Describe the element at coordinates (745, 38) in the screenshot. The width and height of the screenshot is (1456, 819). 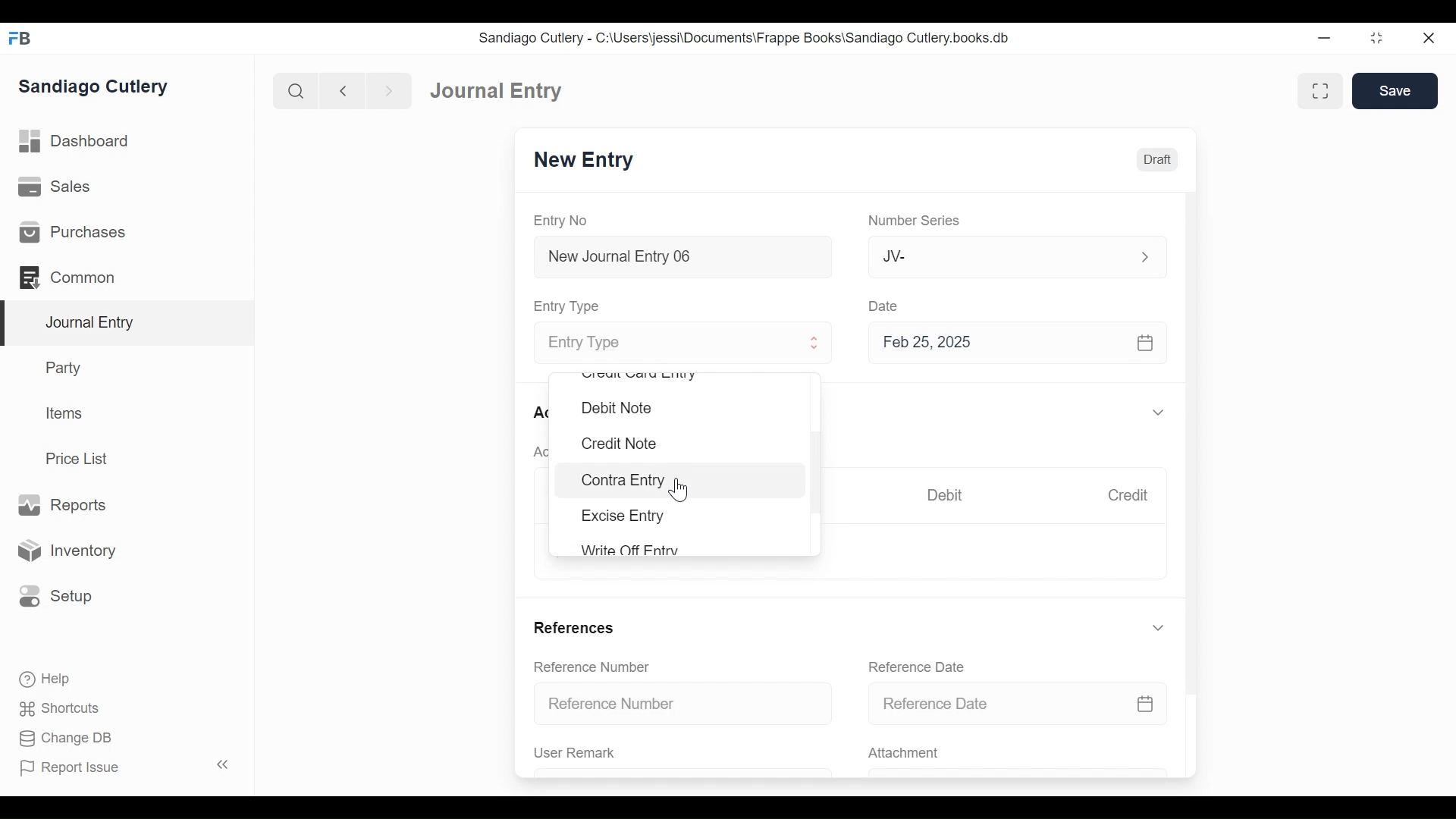
I see `Sandiago Cutlery - C:\Users\jessi\Documents\Frappe Books\Sandiago Cutlery.books.db` at that location.